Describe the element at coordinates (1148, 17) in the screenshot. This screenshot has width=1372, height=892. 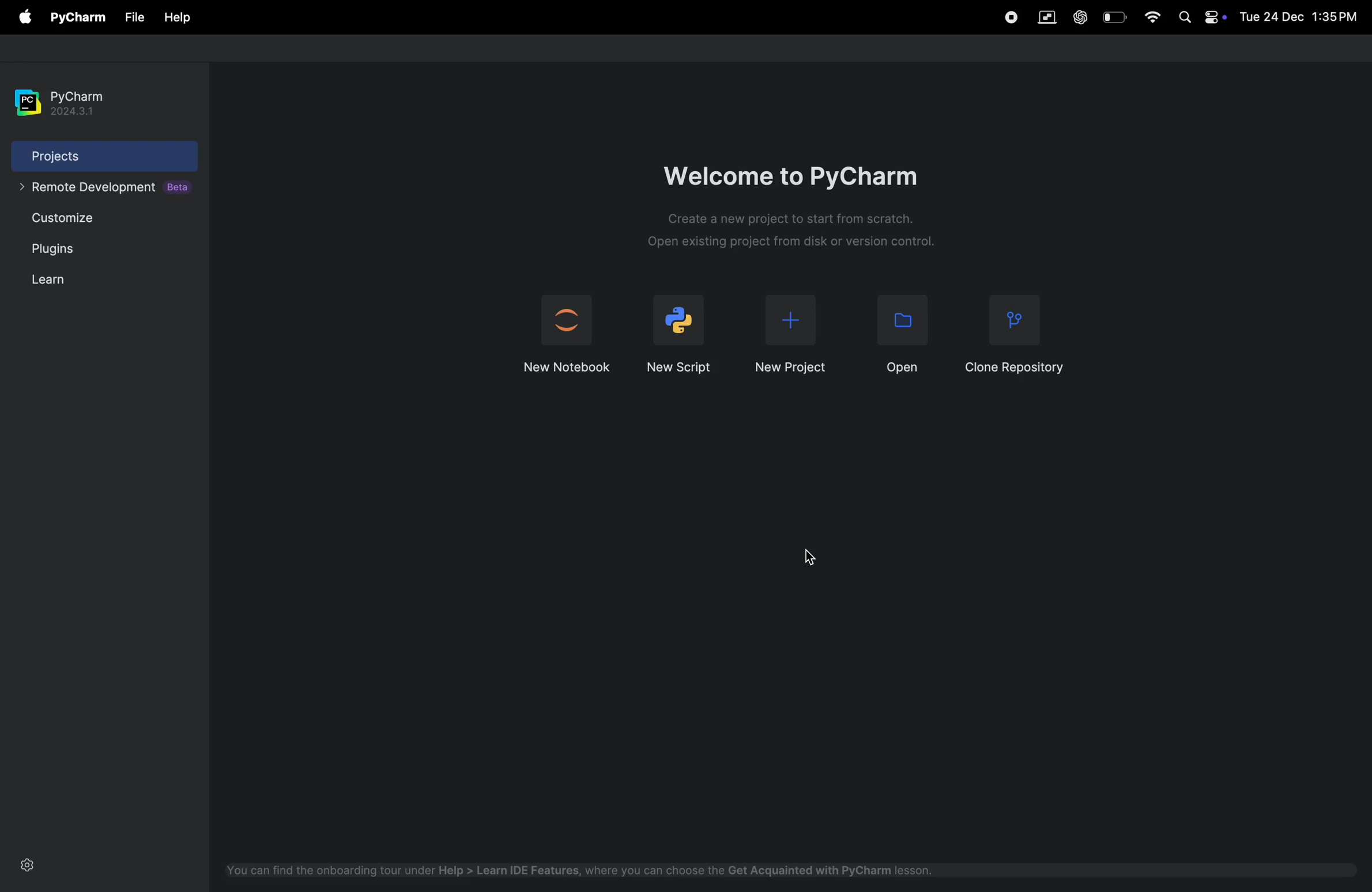
I see `wifi` at that location.